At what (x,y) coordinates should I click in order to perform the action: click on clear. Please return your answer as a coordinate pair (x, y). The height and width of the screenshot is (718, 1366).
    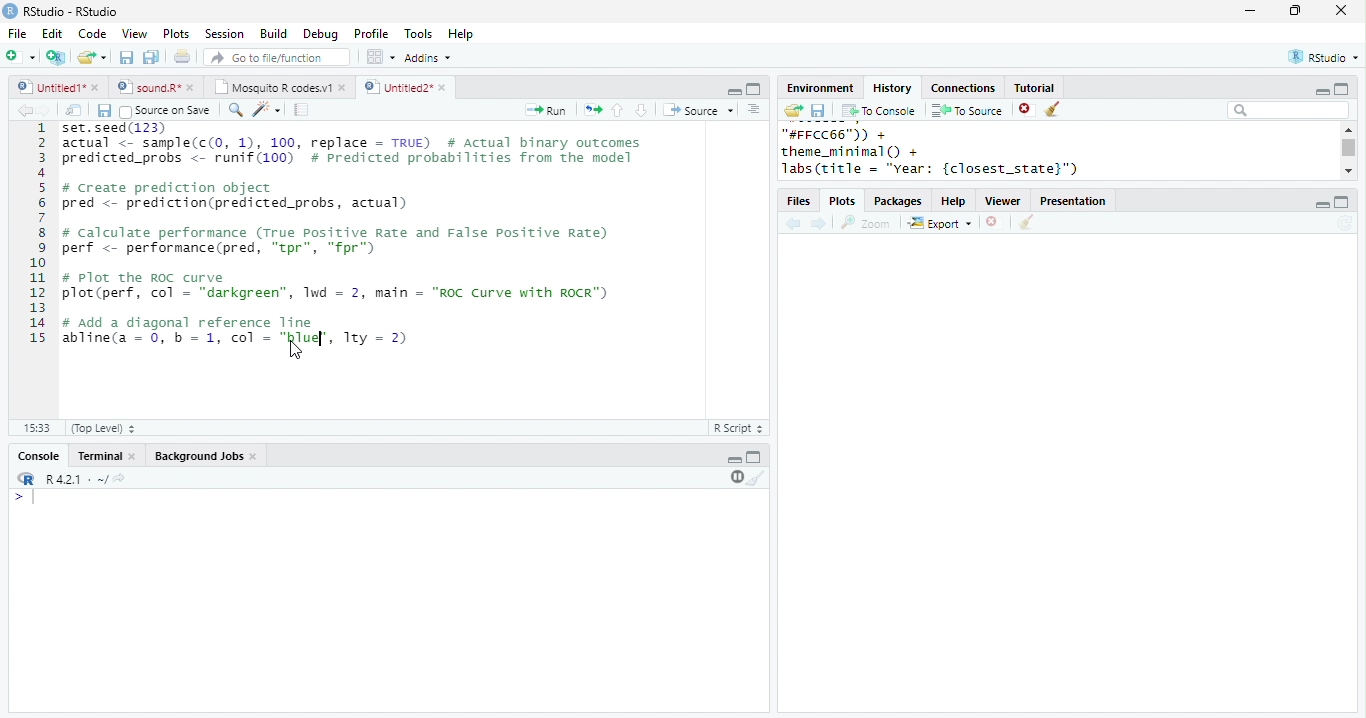
    Looking at the image, I should click on (757, 477).